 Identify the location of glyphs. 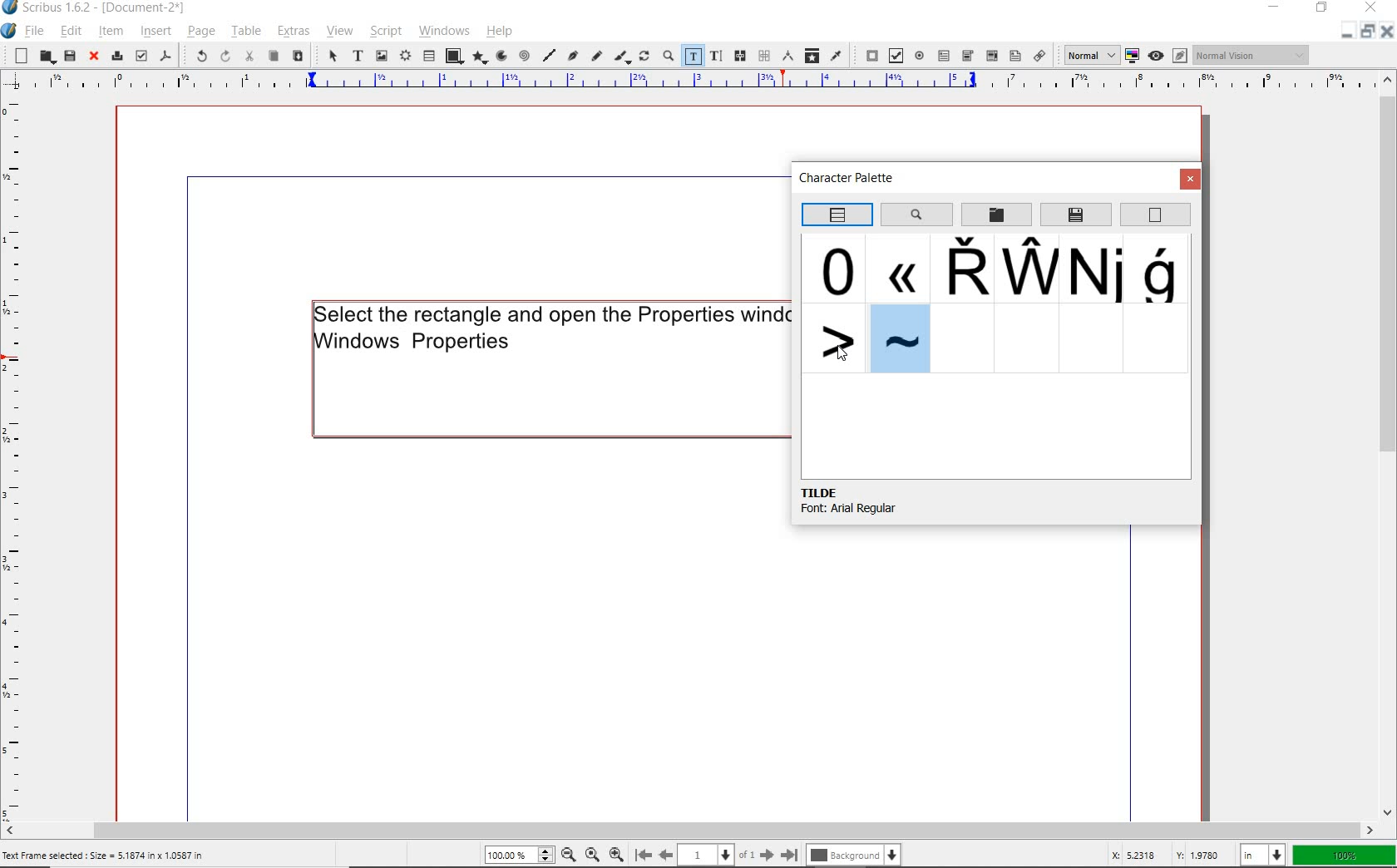
(960, 269).